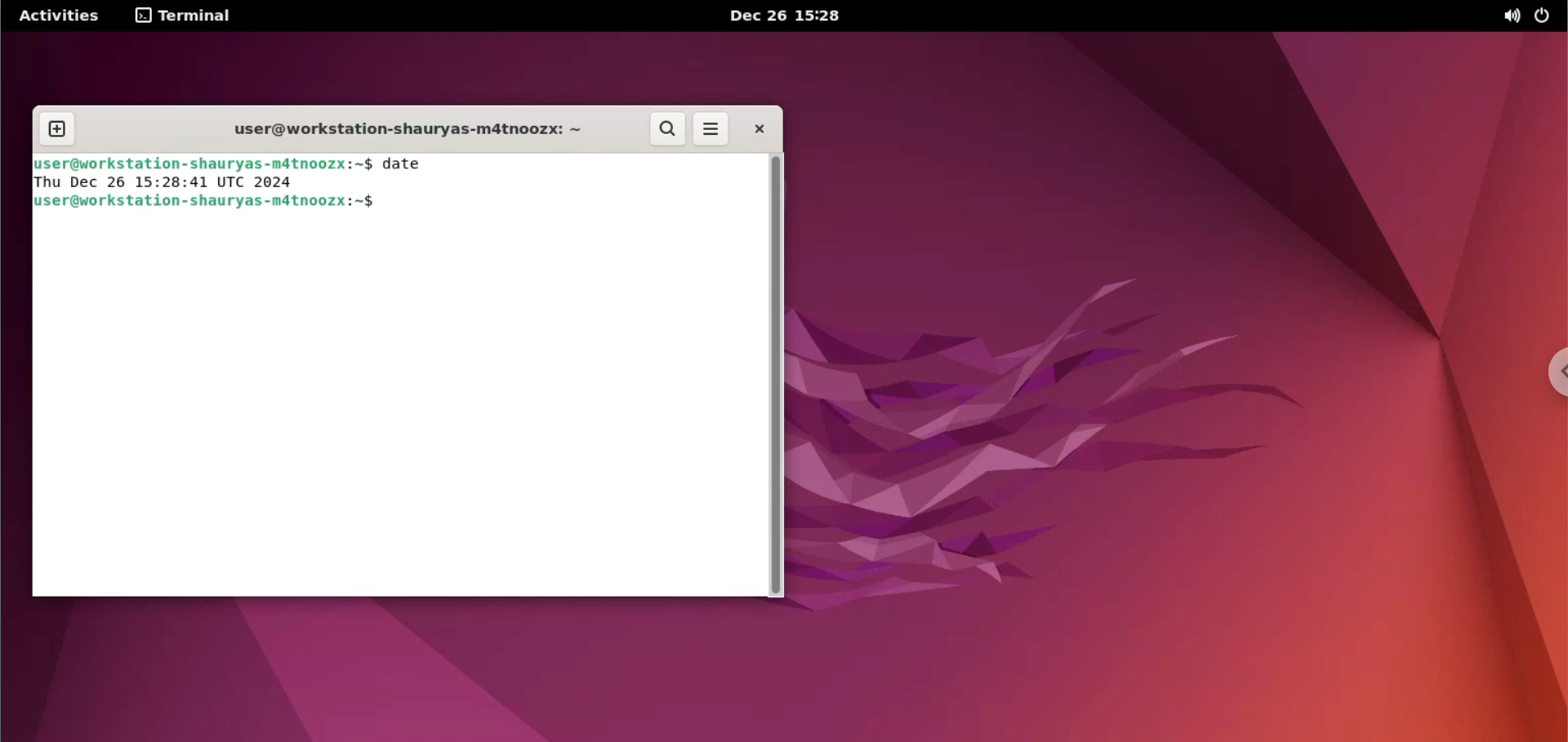 The width and height of the screenshot is (1568, 742). Describe the element at coordinates (203, 162) in the screenshot. I see `user@workstation -shauryas-m4tnoozx:~$` at that location.